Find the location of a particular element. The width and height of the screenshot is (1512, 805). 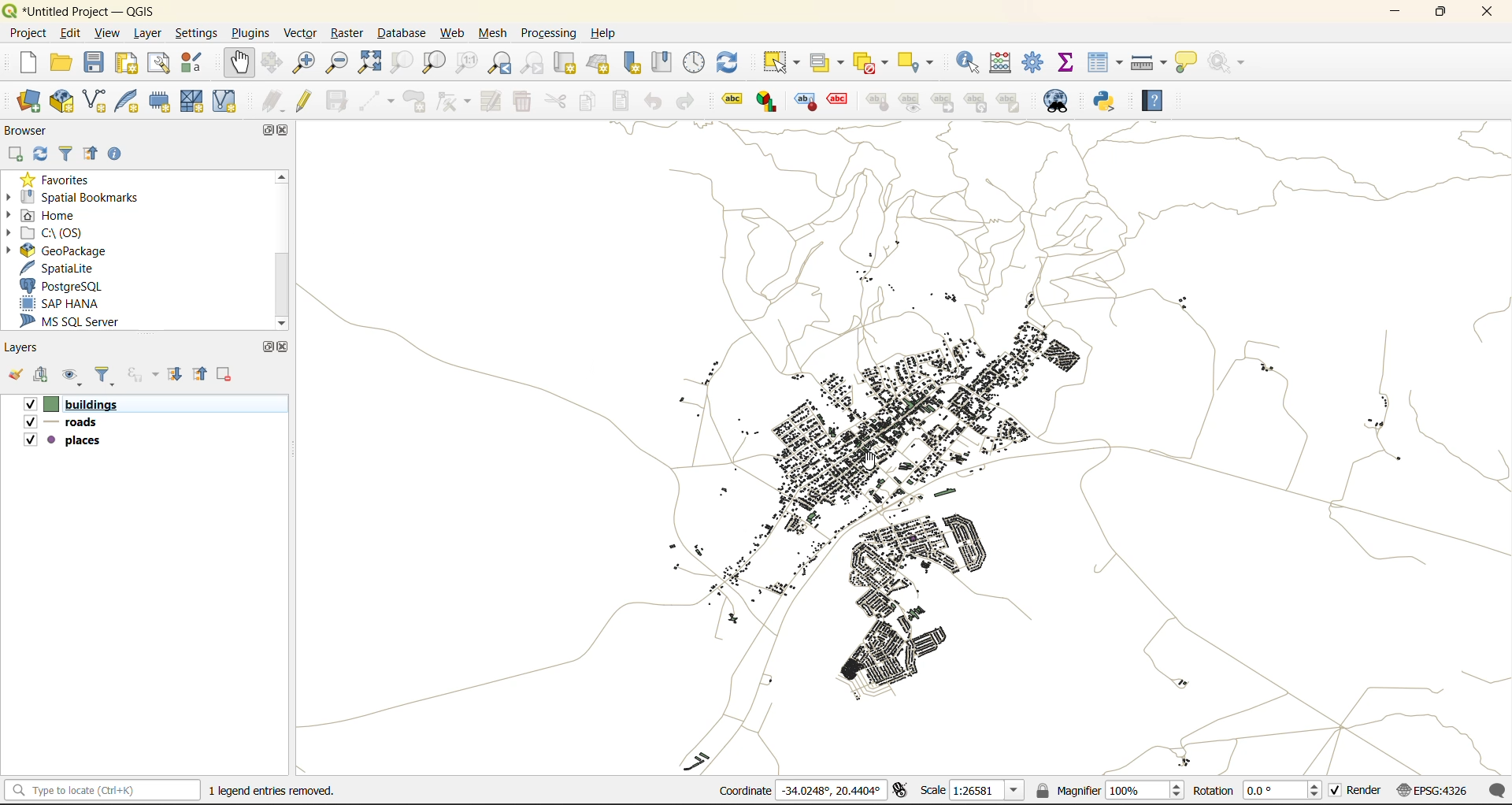

scale is located at coordinates (972, 792).